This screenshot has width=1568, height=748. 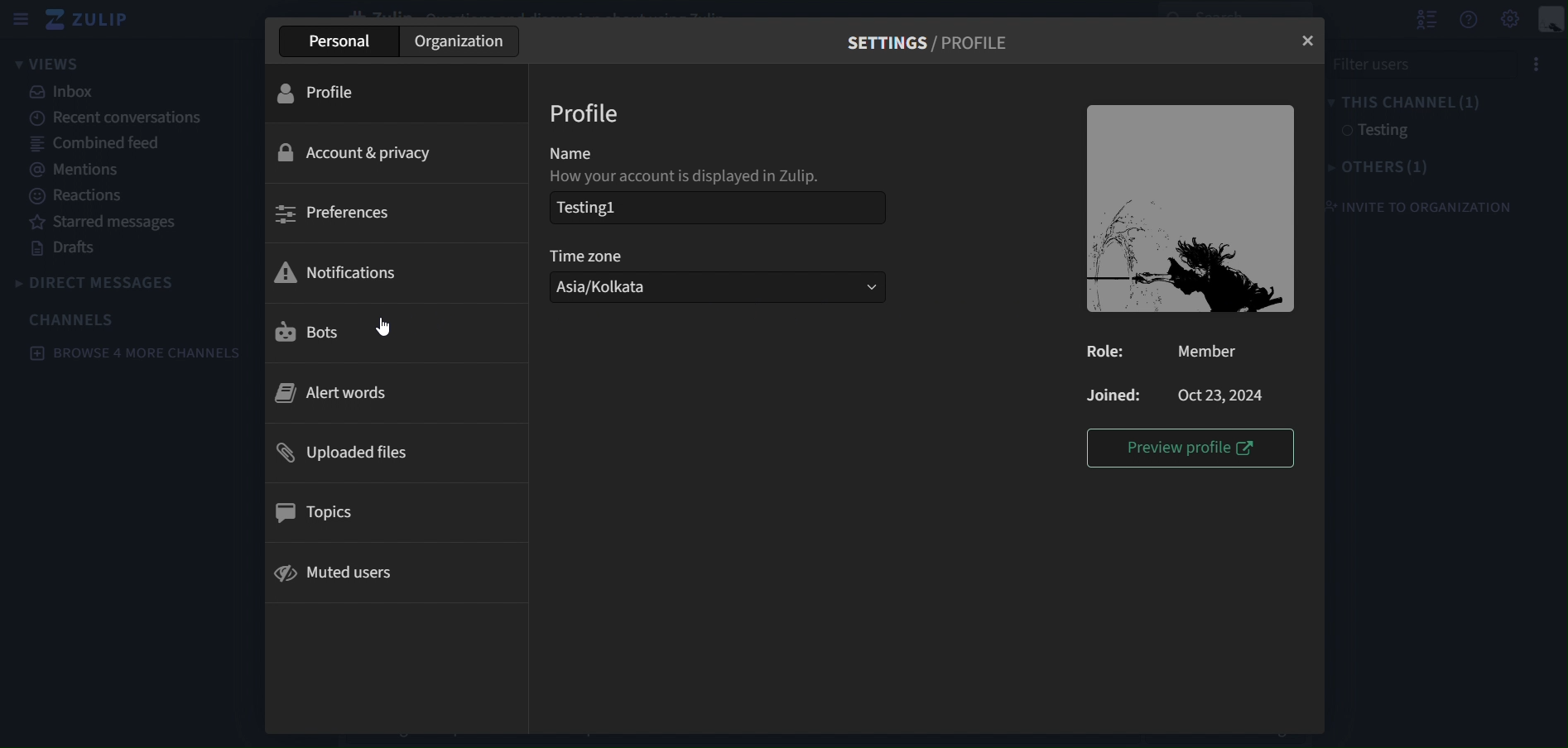 I want to click on inbox, so click(x=65, y=91).